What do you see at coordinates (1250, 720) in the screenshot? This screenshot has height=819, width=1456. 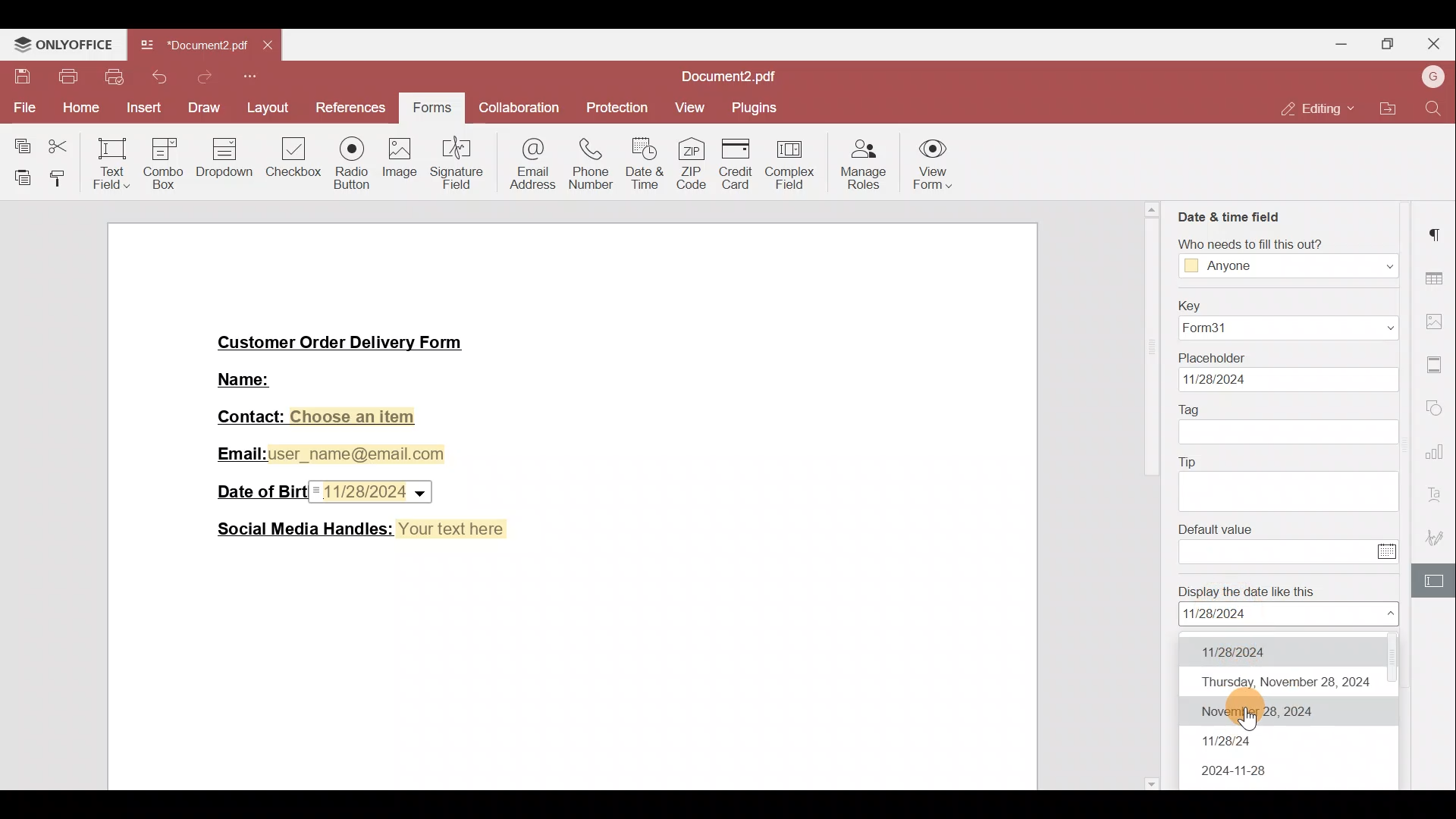 I see `cursor` at bounding box center [1250, 720].